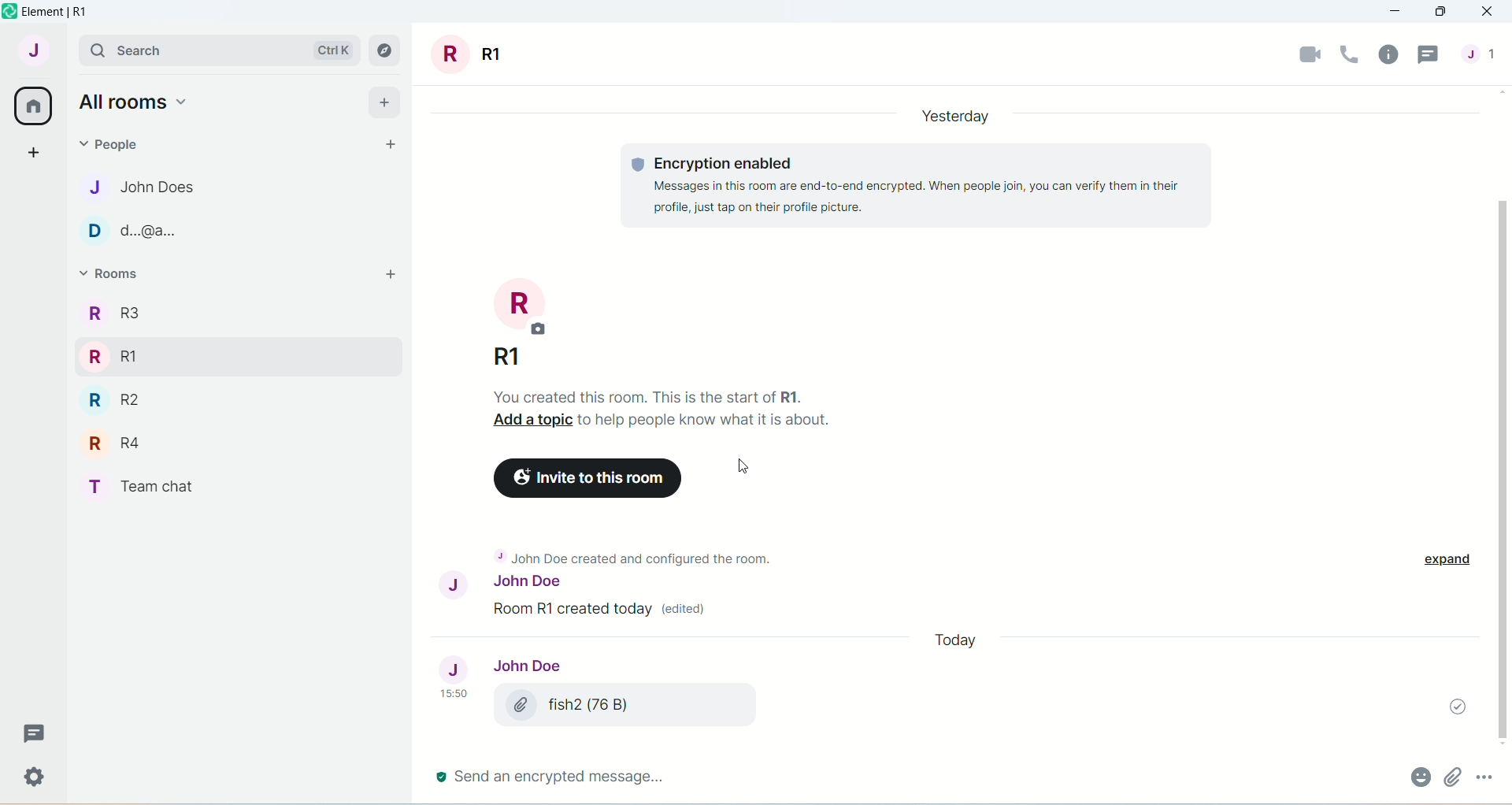  I want to click on minimize, so click(1397, 12).